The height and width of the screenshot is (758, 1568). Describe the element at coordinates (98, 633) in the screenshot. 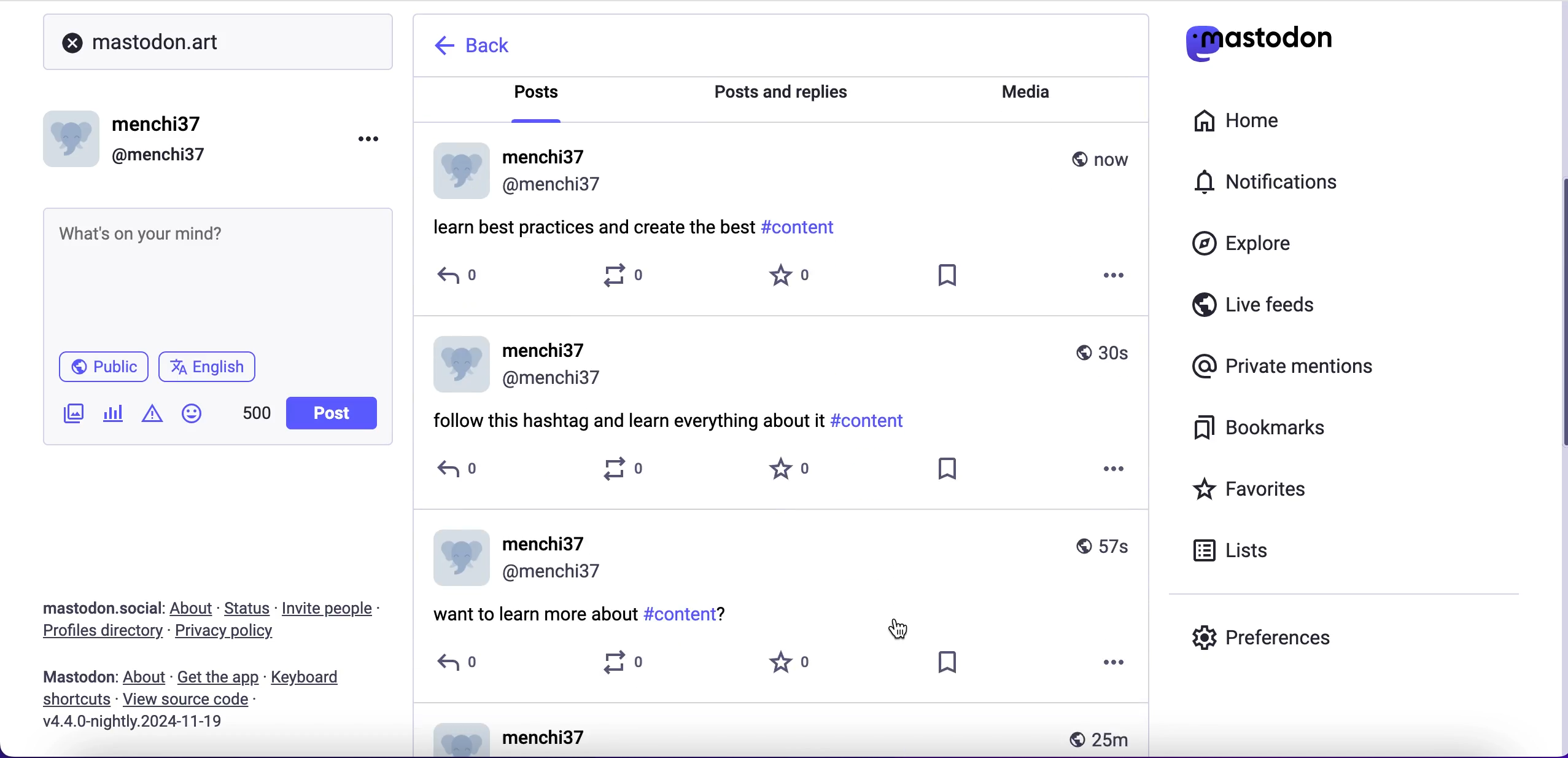

I see `profiles directory` at that location.